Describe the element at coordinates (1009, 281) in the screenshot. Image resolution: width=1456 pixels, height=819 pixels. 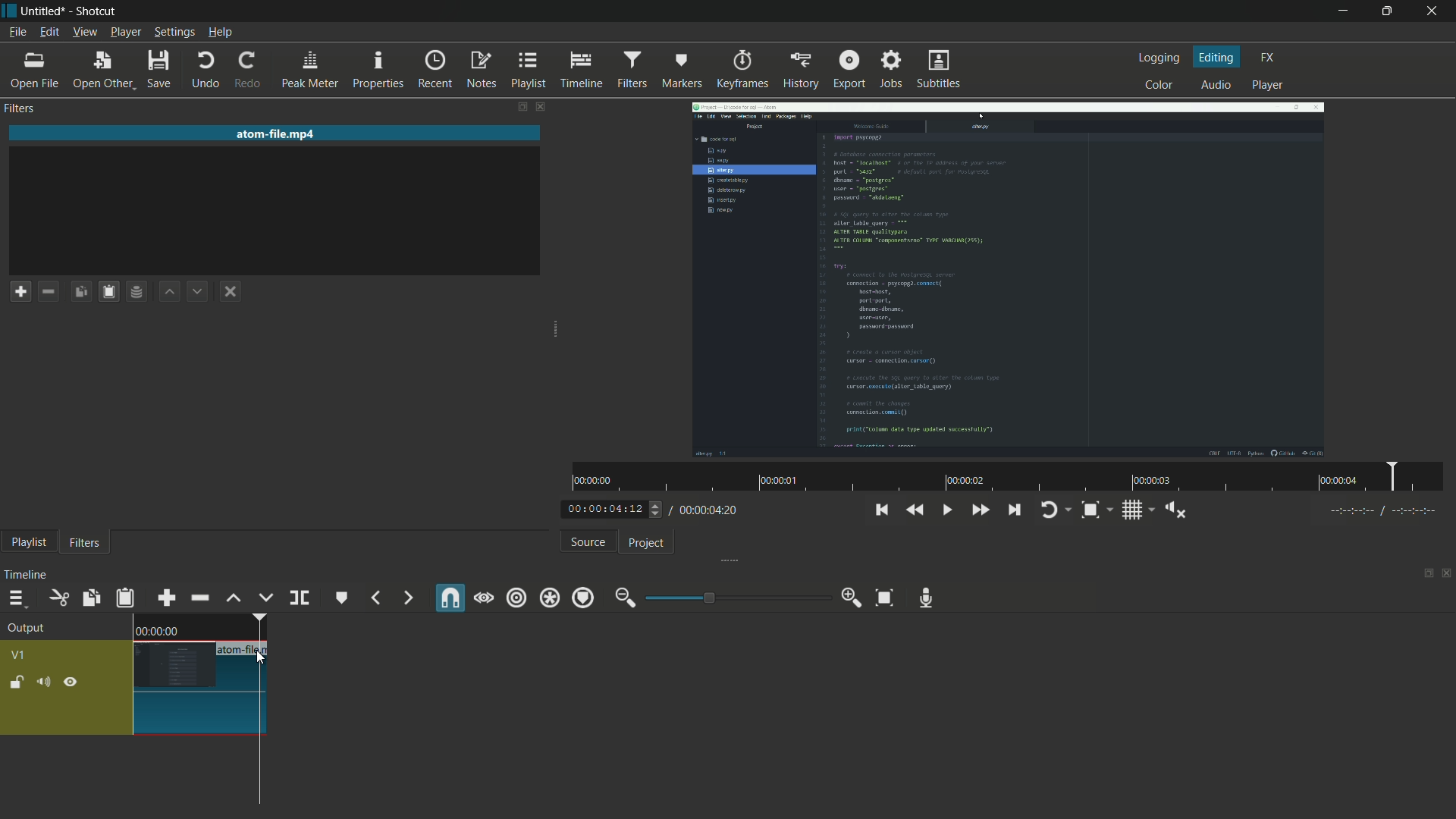
I see `imported video file` at that location.